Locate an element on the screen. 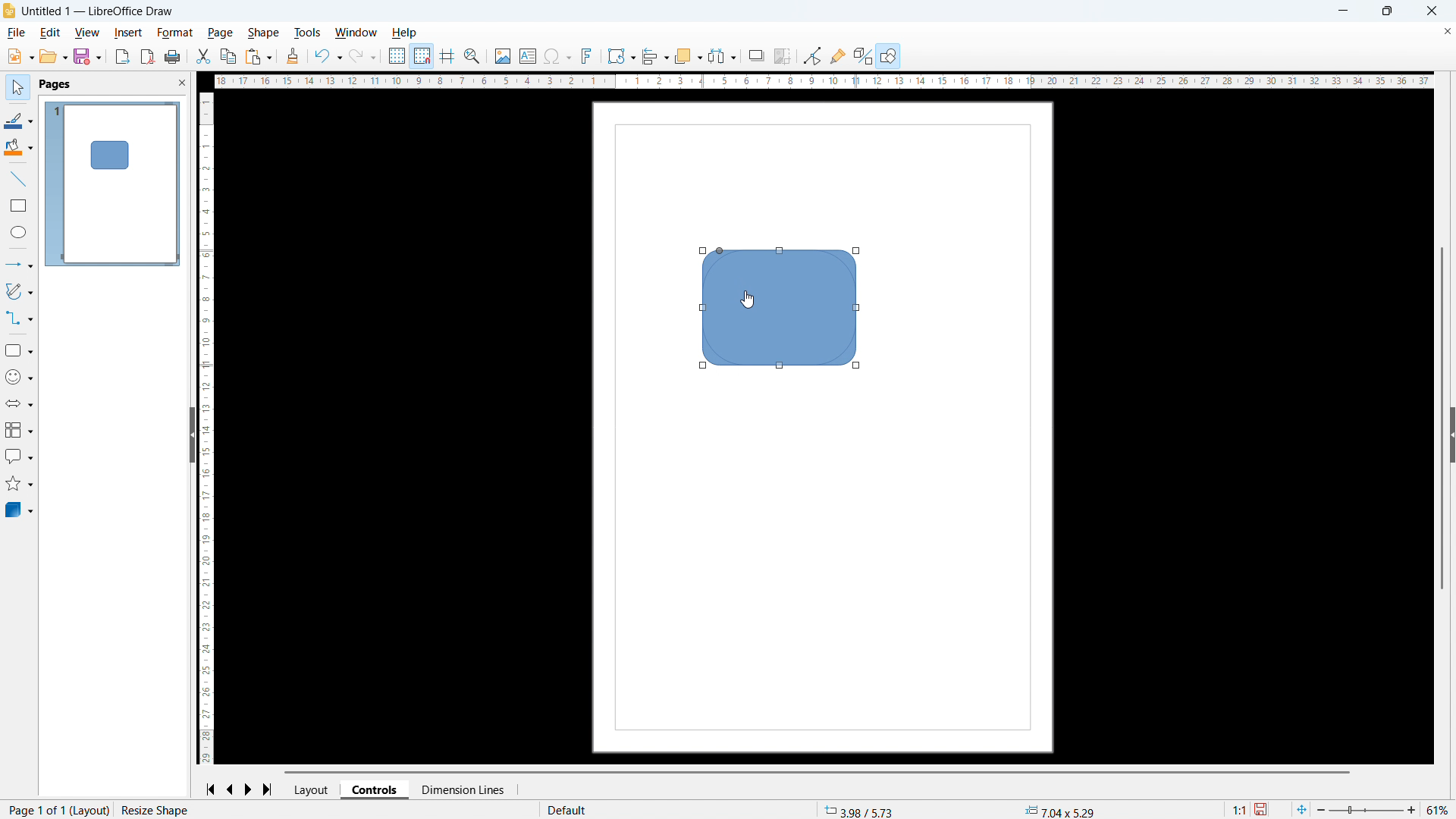 This screenshot has width=1456, height=819. Guidelines while moving  is located at coordinates (447, 57).